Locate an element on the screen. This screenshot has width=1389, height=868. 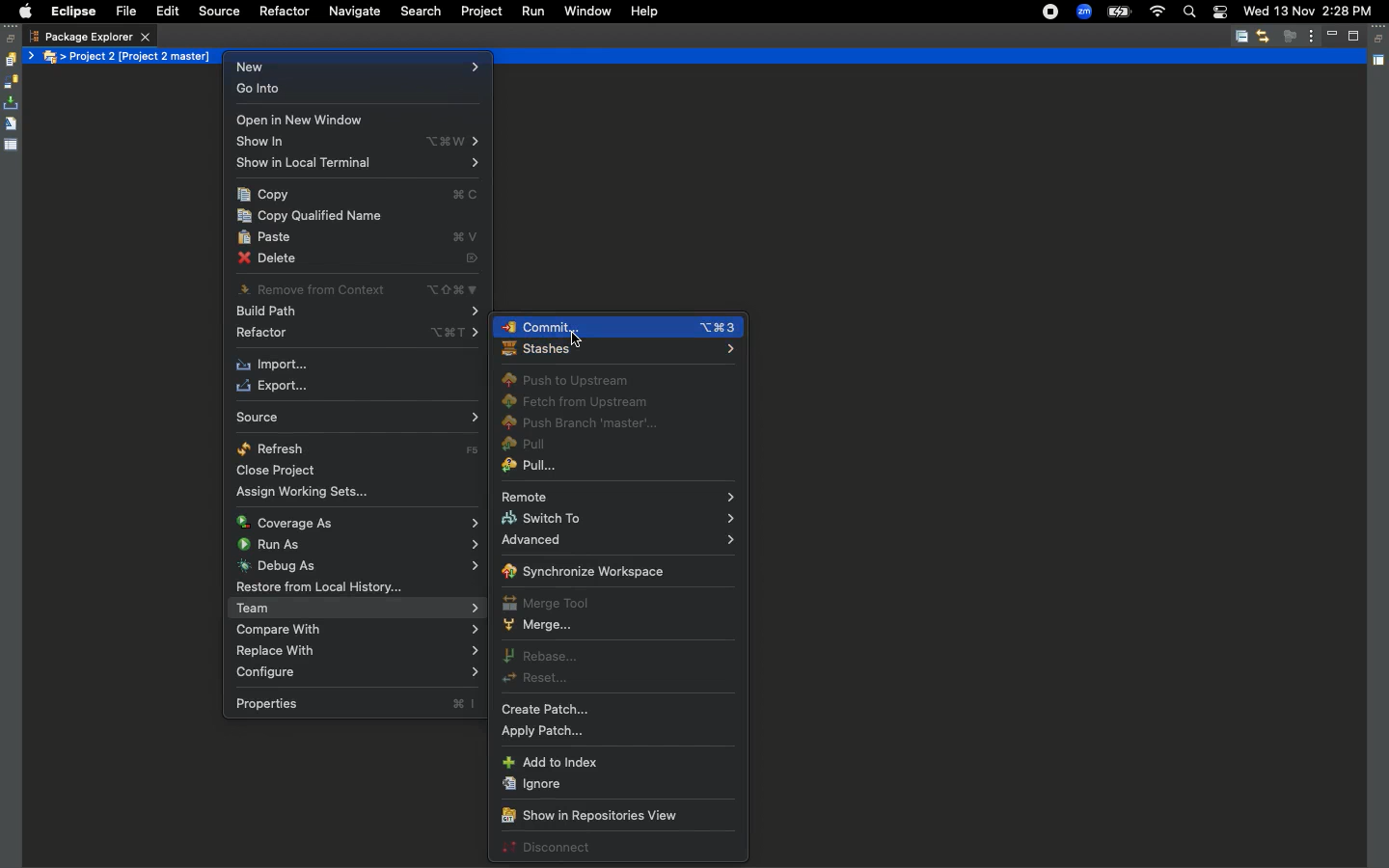
Shared area is located at coordinates (1380, 64).